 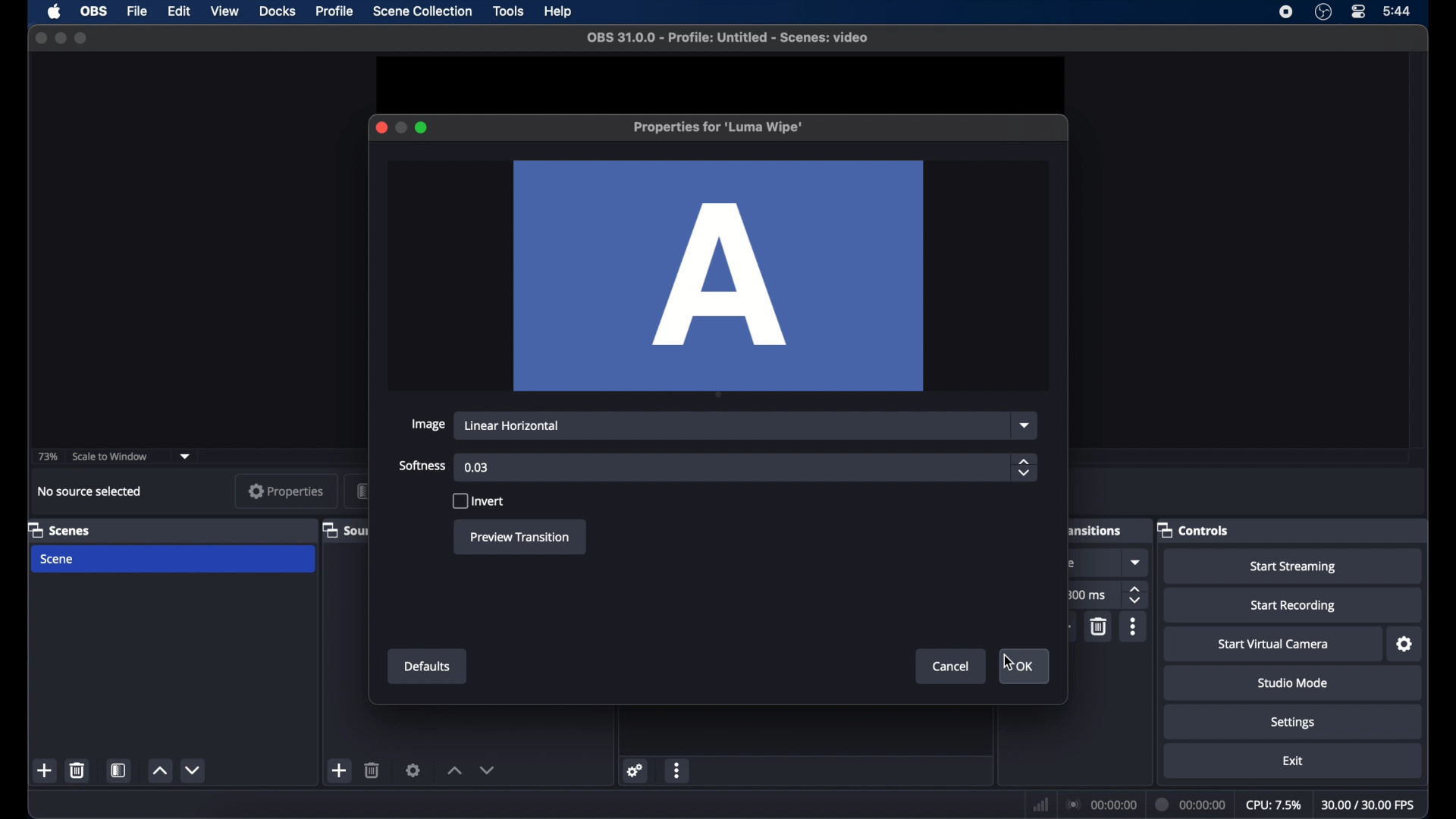 I want to click on connection, so click(x=1103, y=805).